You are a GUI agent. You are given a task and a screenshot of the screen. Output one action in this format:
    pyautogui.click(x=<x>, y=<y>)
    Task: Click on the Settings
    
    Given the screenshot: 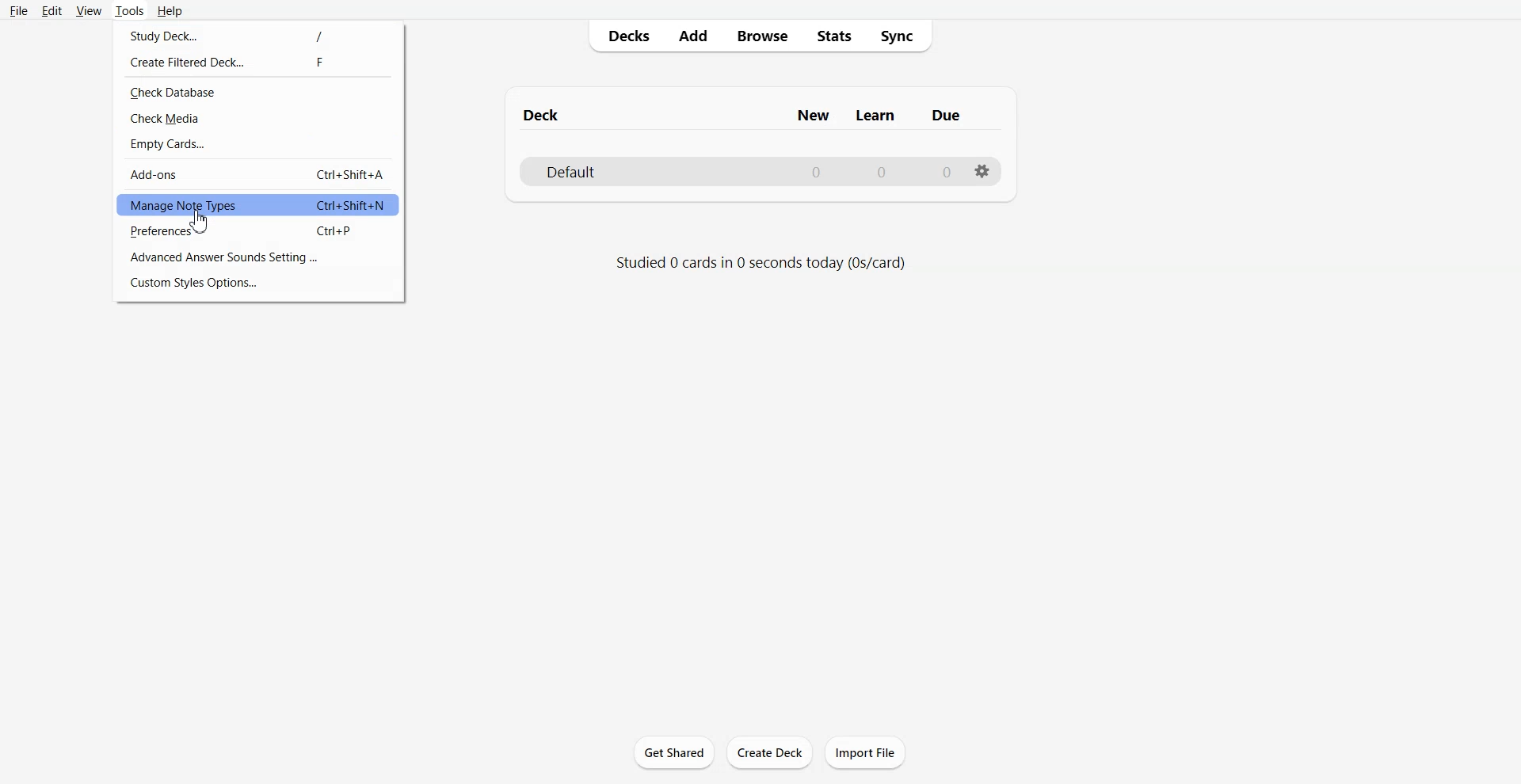 What is the action you would take?
    pyautogui.click(x=982, y=172)
    